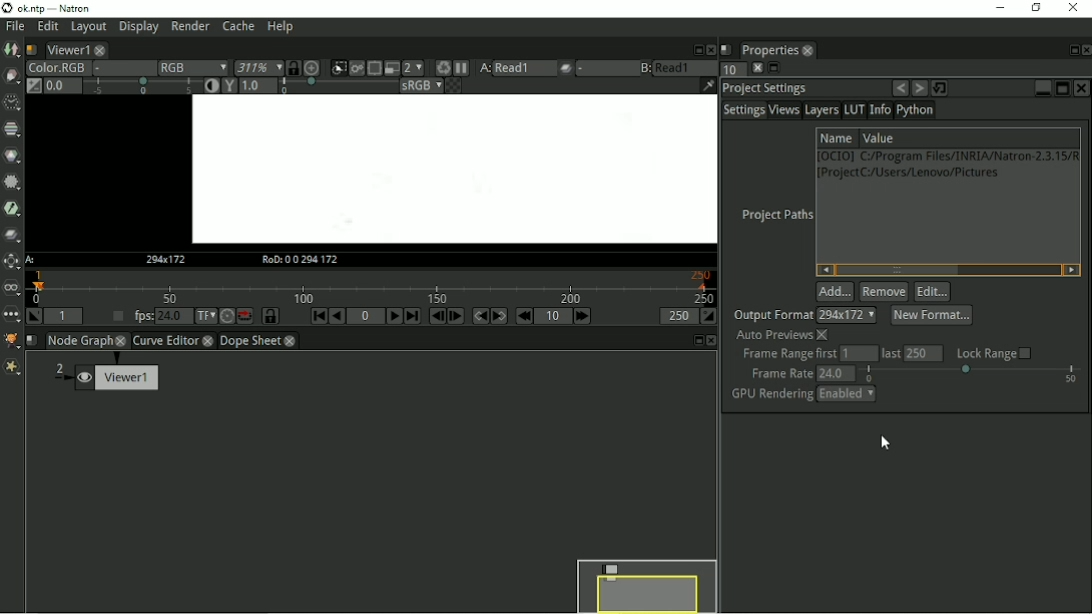 This screenshot has width=1092, height=614. I want to click on Filter, so click(13, 182).